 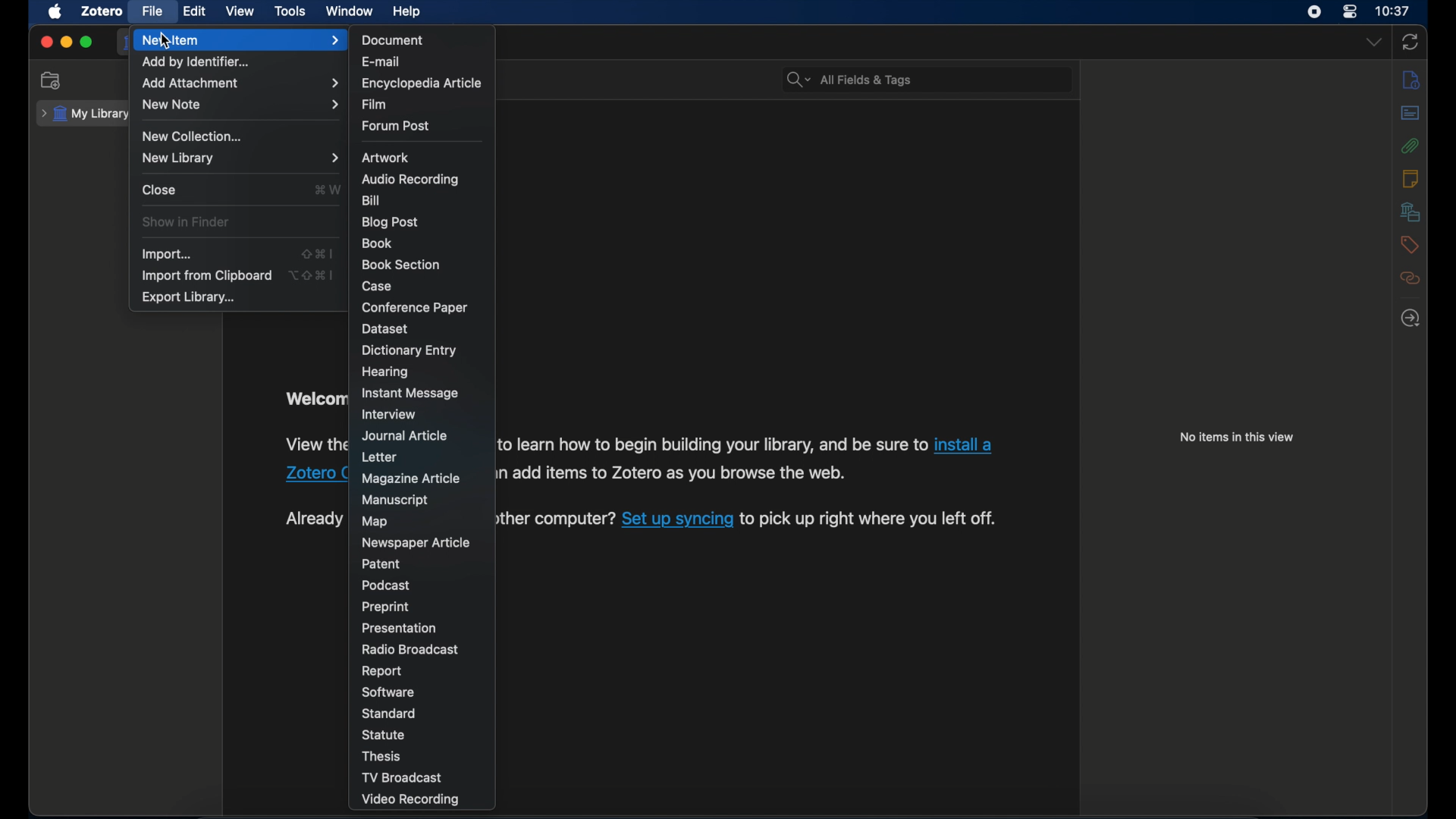 I want to click on encyclopedia article, so click(x=423, y=82).